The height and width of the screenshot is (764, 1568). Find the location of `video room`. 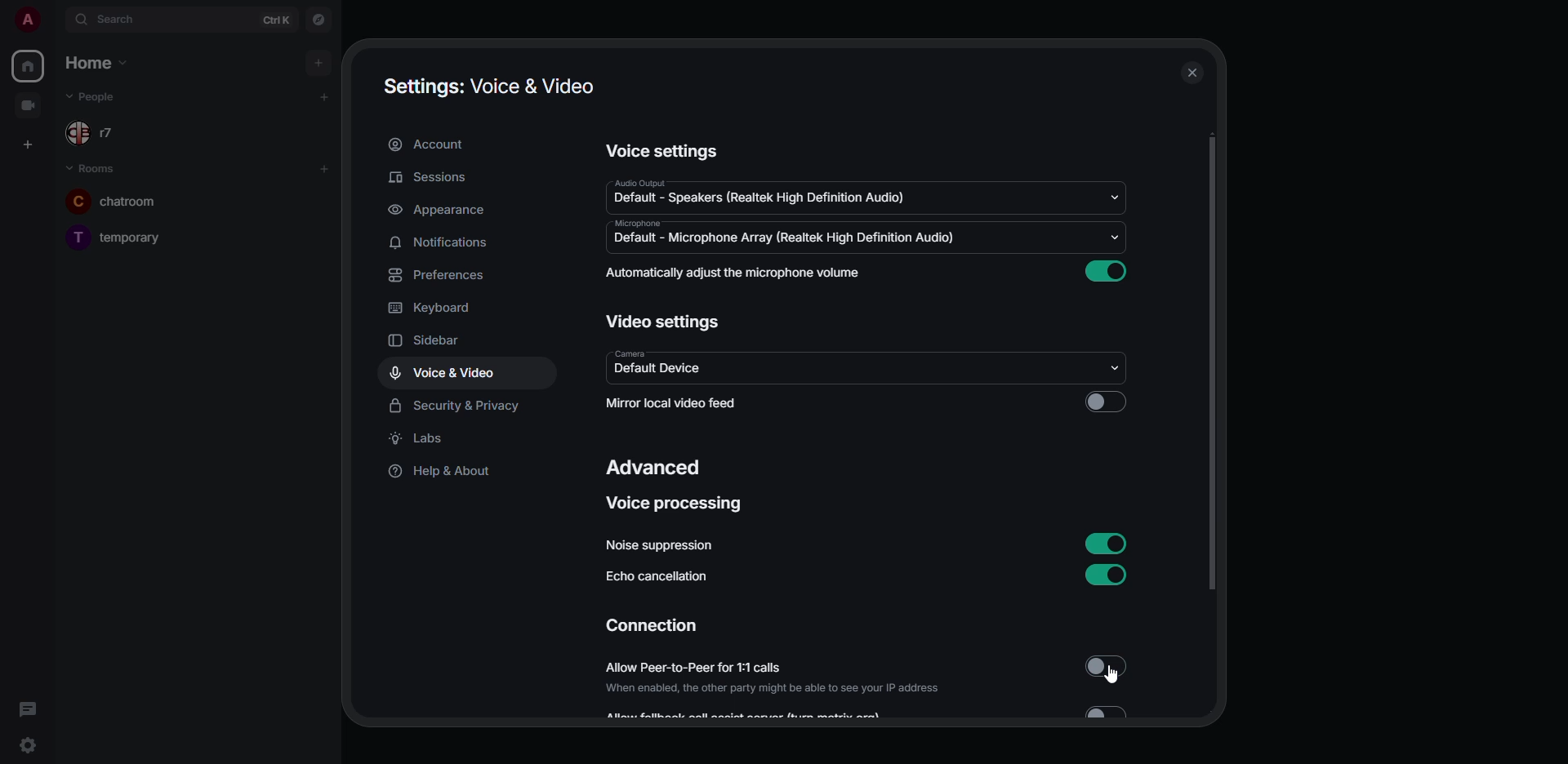

video room is located at coordinates (34, 105).